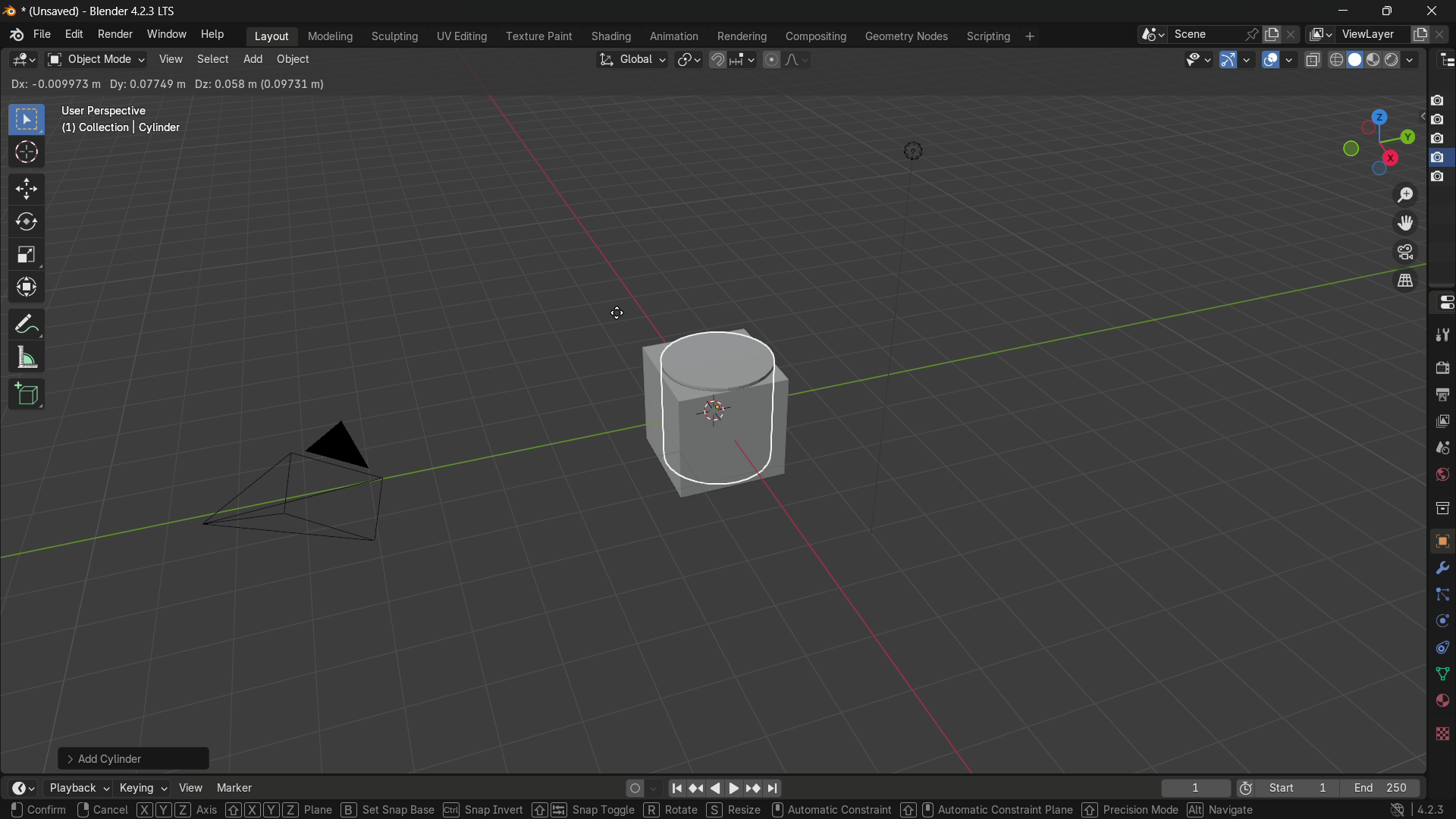 This screenshot has height=819, width=1456. Describe the element at coordinates (772, 789) in the screenshot. I see `jump to endpoint` at that location.